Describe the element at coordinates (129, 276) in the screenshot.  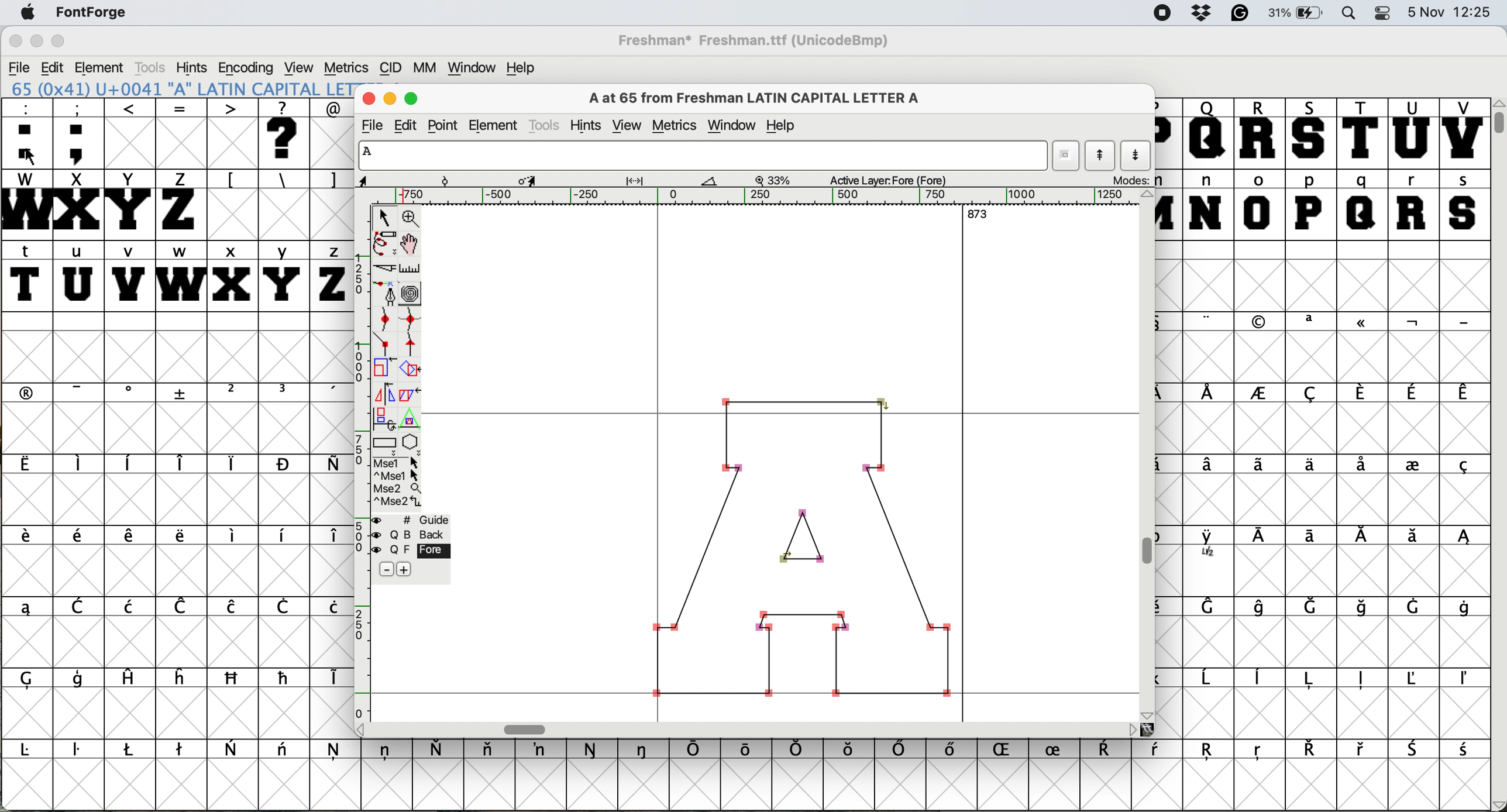
I see `v` at that location.